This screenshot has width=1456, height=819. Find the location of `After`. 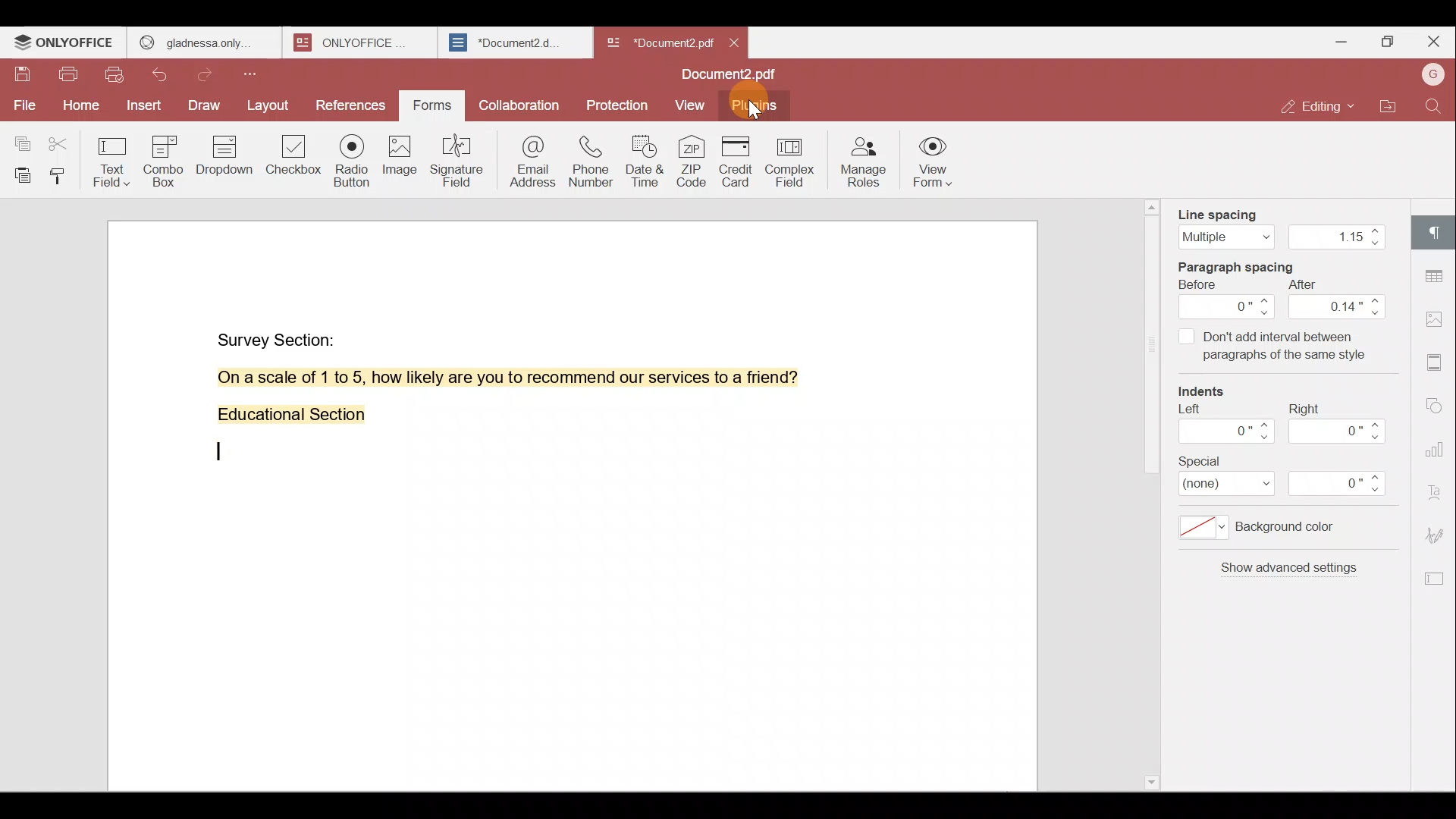

After is located at coordinates (1338, 300).